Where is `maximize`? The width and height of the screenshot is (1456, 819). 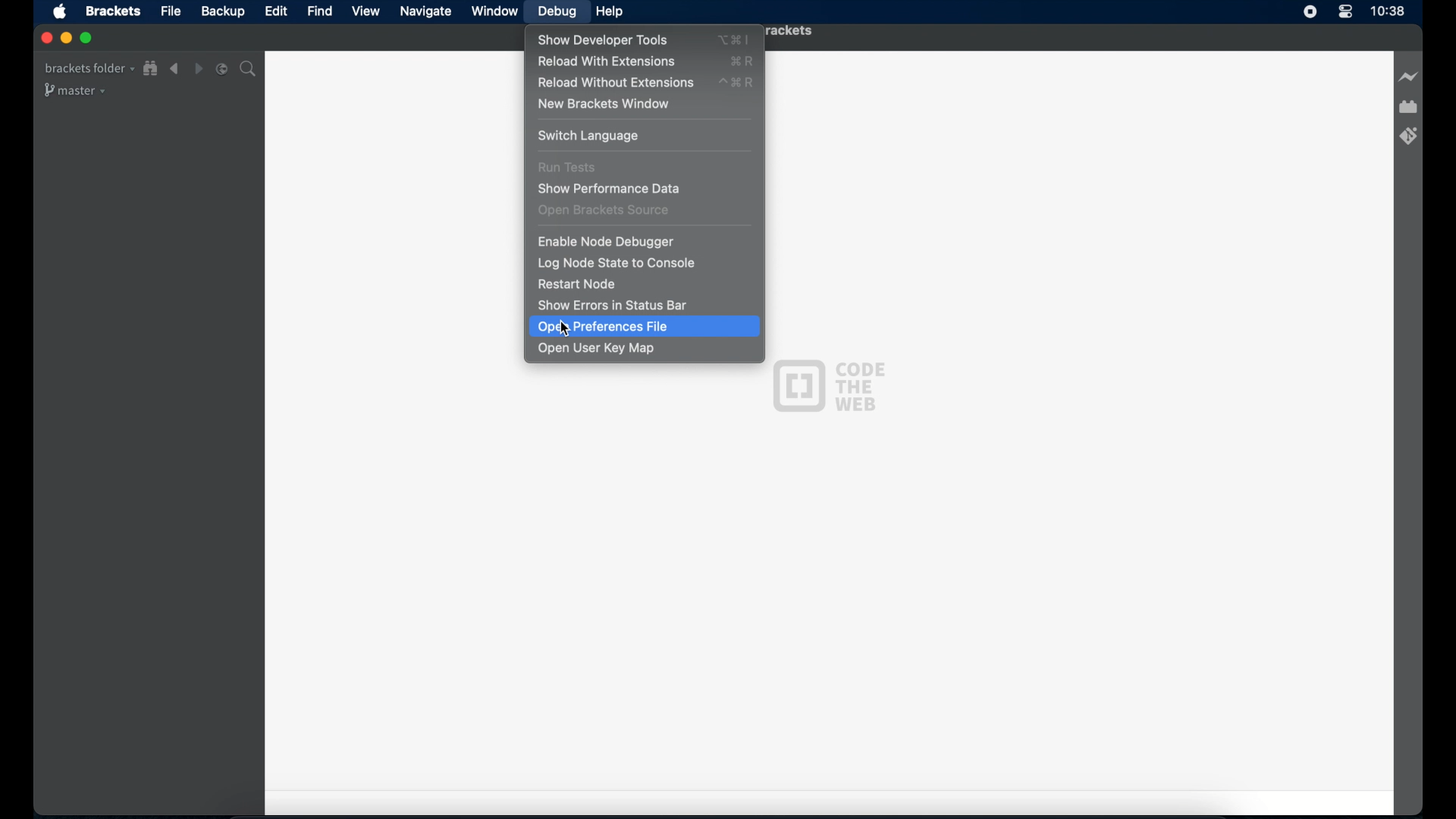
maximize is located at coordinates (87, 39).